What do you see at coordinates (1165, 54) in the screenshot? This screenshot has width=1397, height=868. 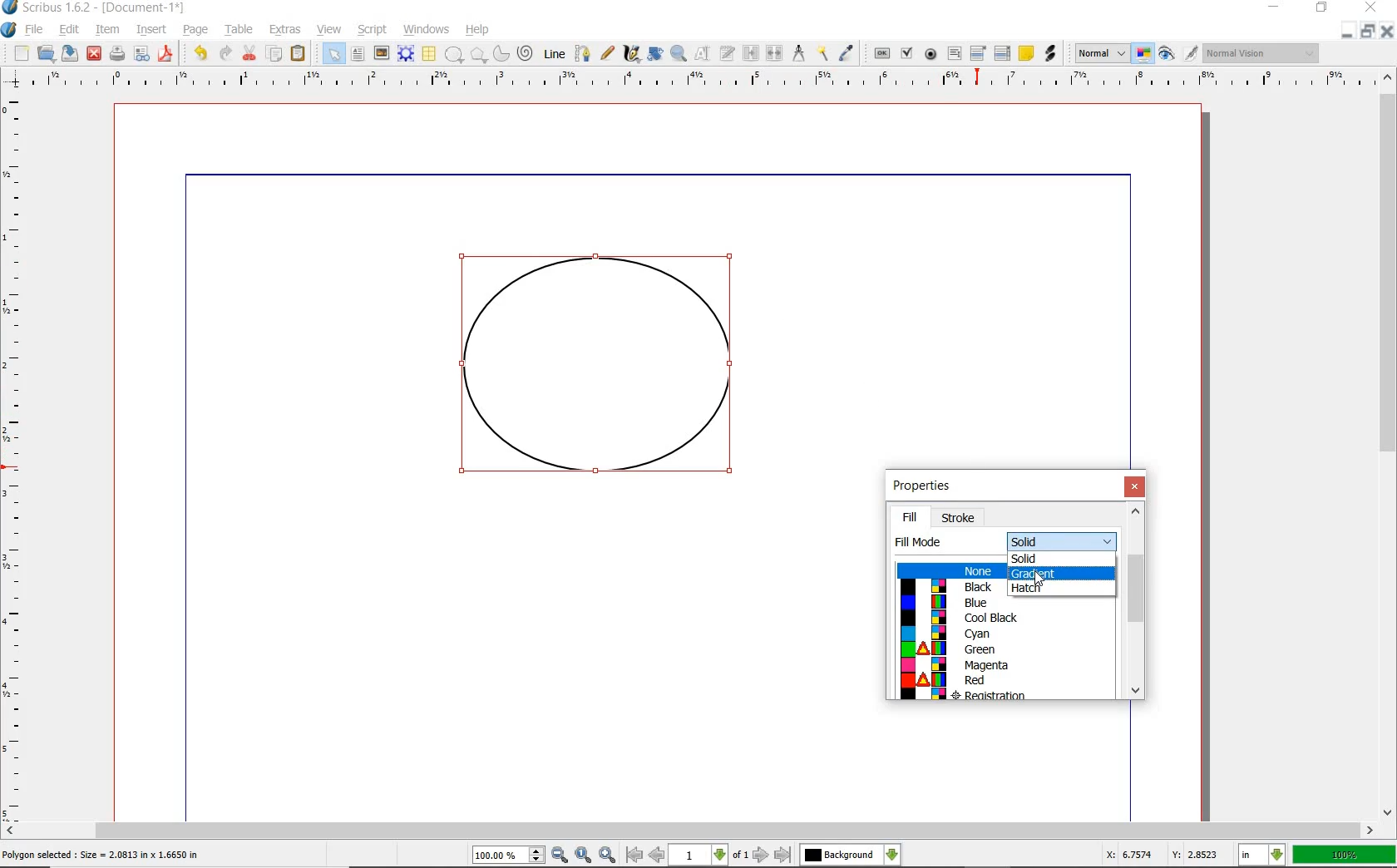 I see `PREVIEW MODE` at bounding box center [1165, 54].